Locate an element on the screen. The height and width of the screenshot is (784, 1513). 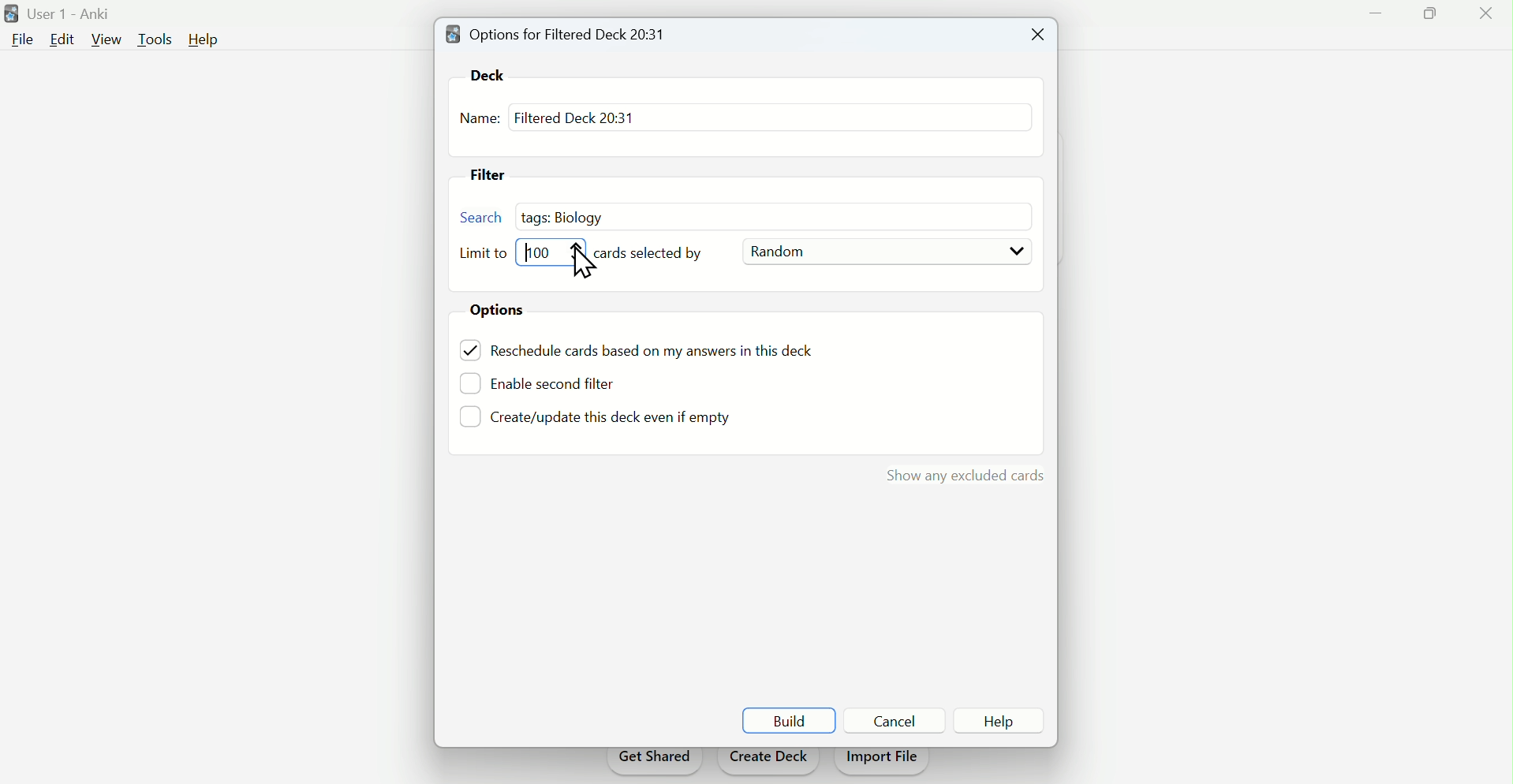
show my excluded cards is located at coordinates (962, 476).